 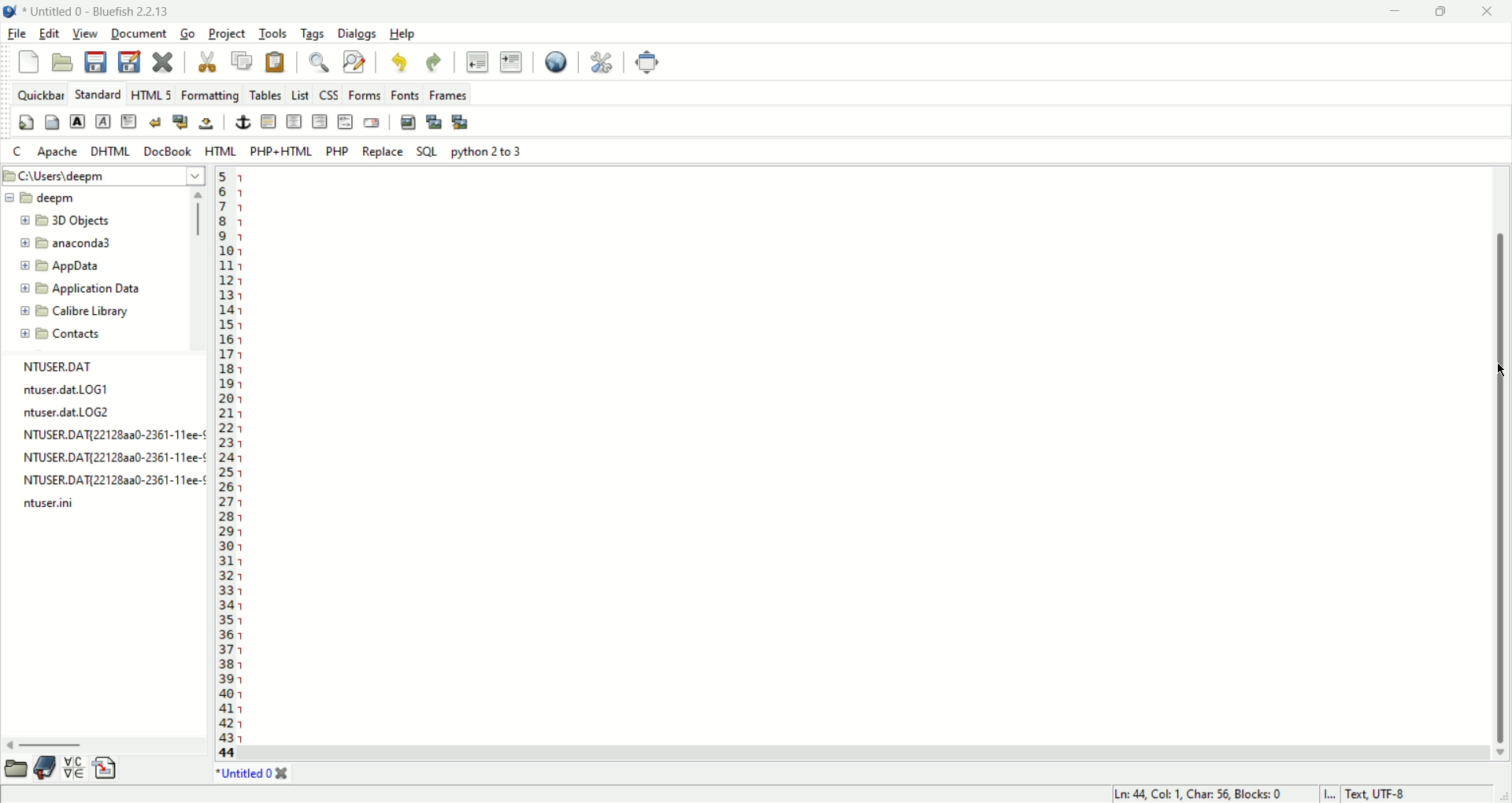 What do you see at coordinates (164, 63) in the screenshot?
I see `close` at bounding box center [164, 63].